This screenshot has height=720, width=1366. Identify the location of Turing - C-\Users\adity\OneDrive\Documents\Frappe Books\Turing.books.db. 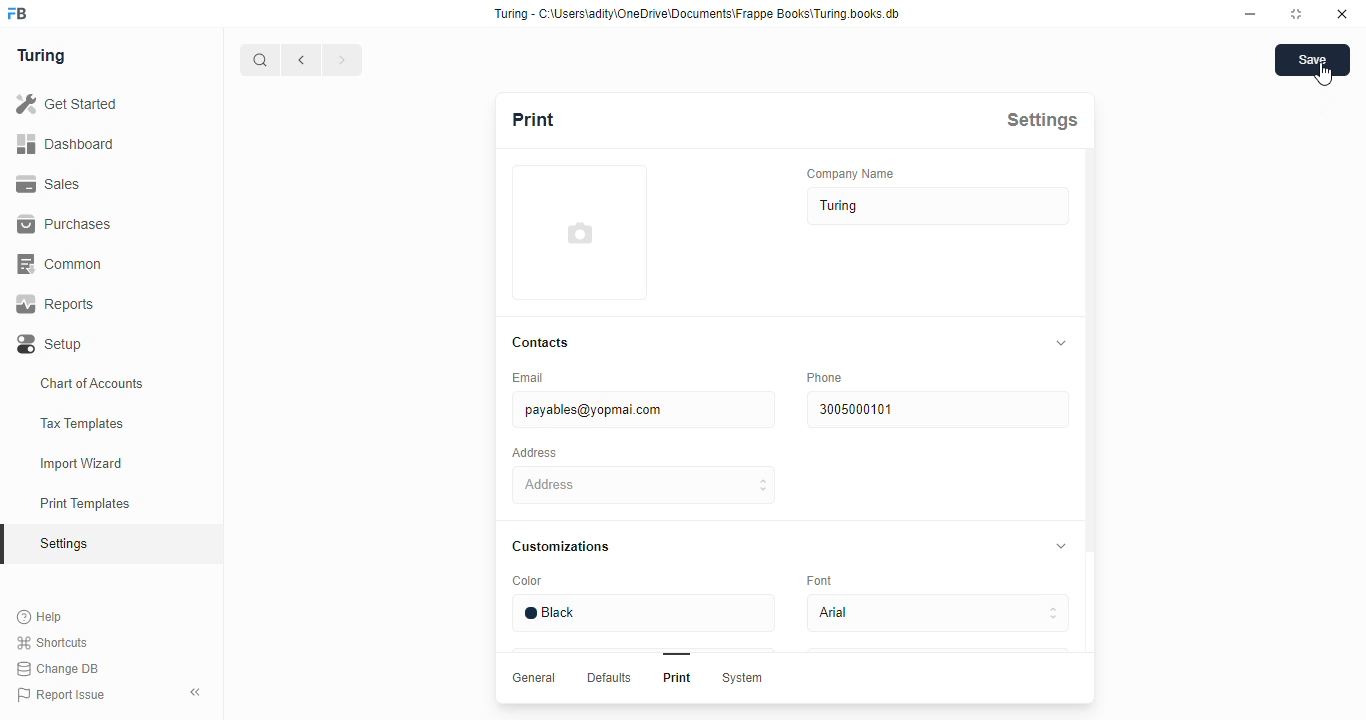
(698, 12).